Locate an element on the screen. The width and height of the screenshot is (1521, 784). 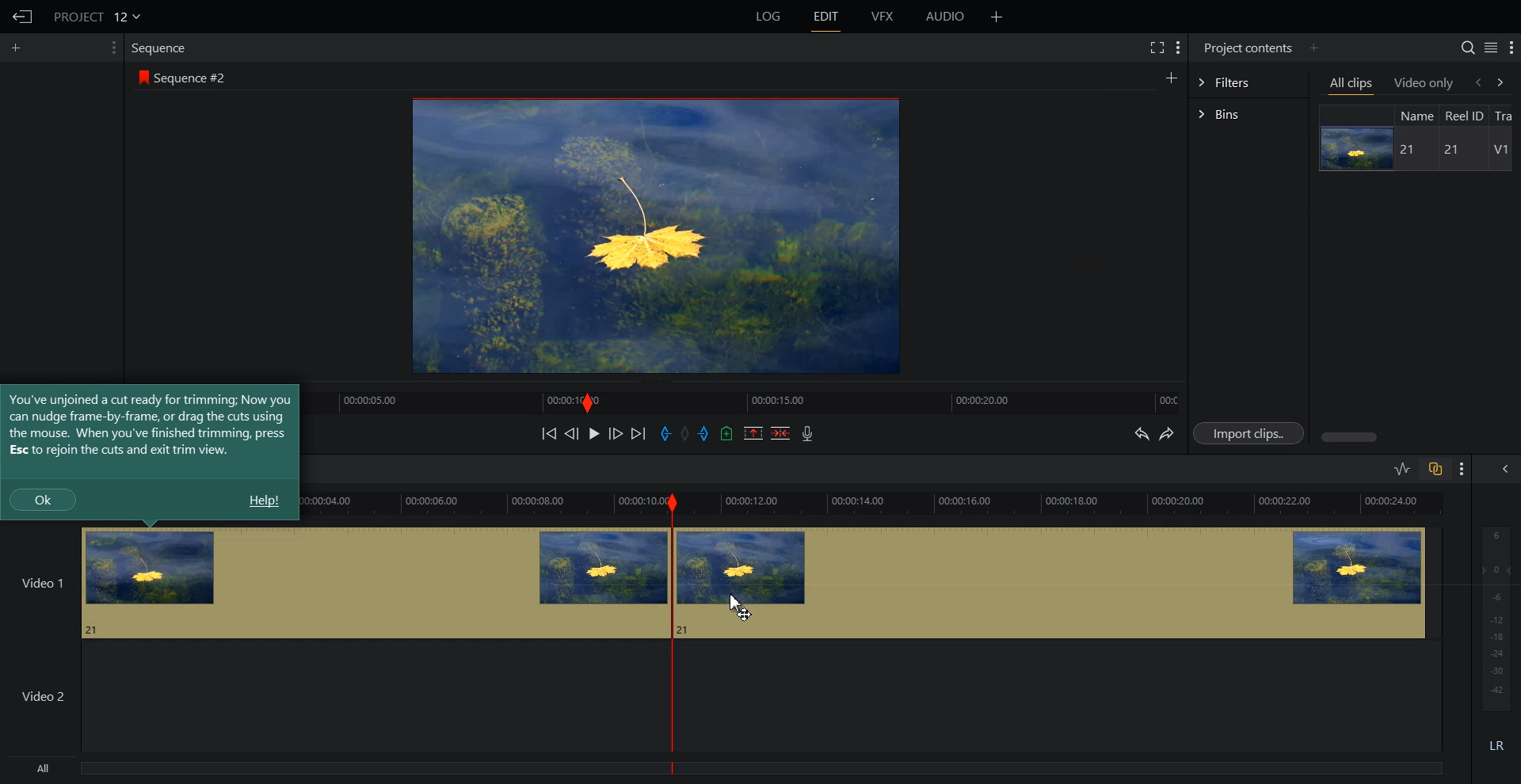
Redo is located at coordinates (1167, 433).